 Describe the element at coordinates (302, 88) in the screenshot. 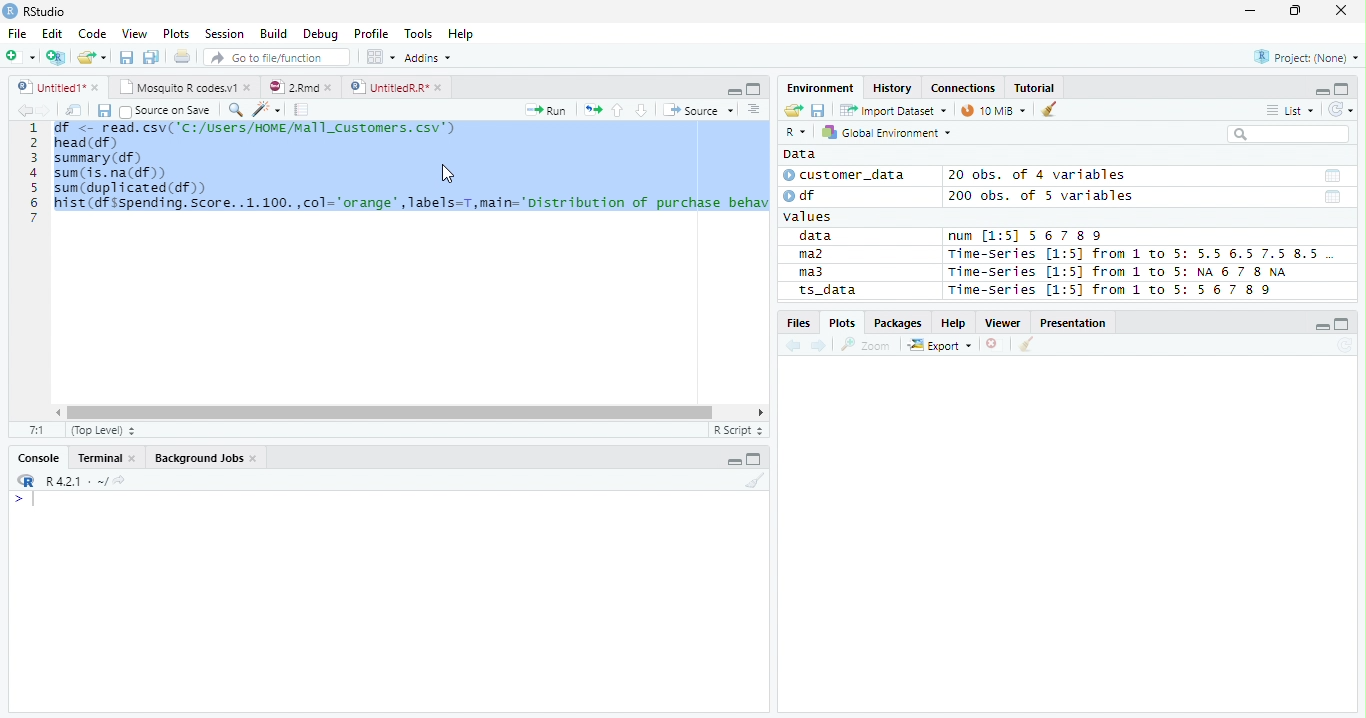

I see `2.Rmd` at that location.